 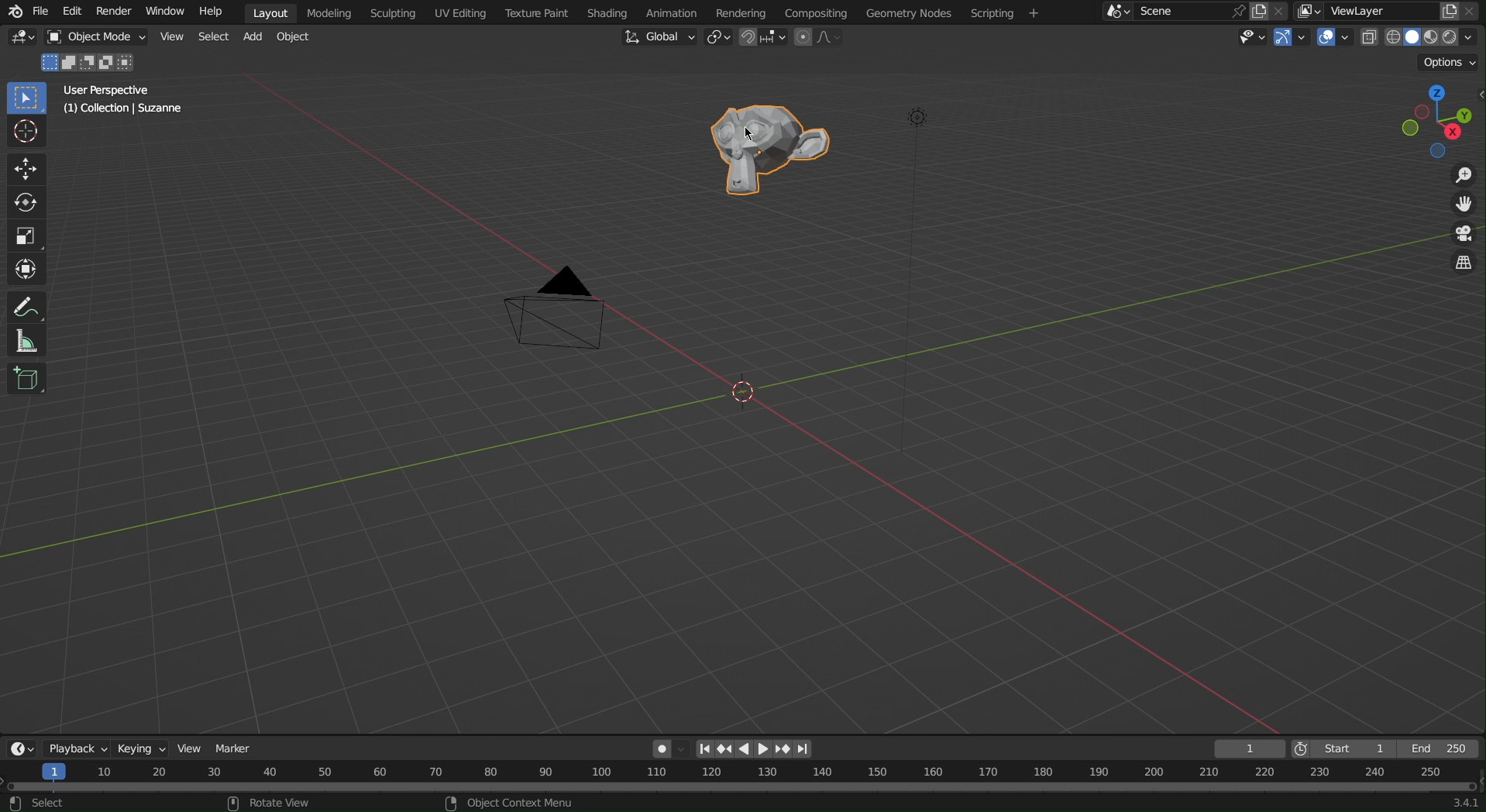 I want to click on Scripting, so click(x=1007, y=12).